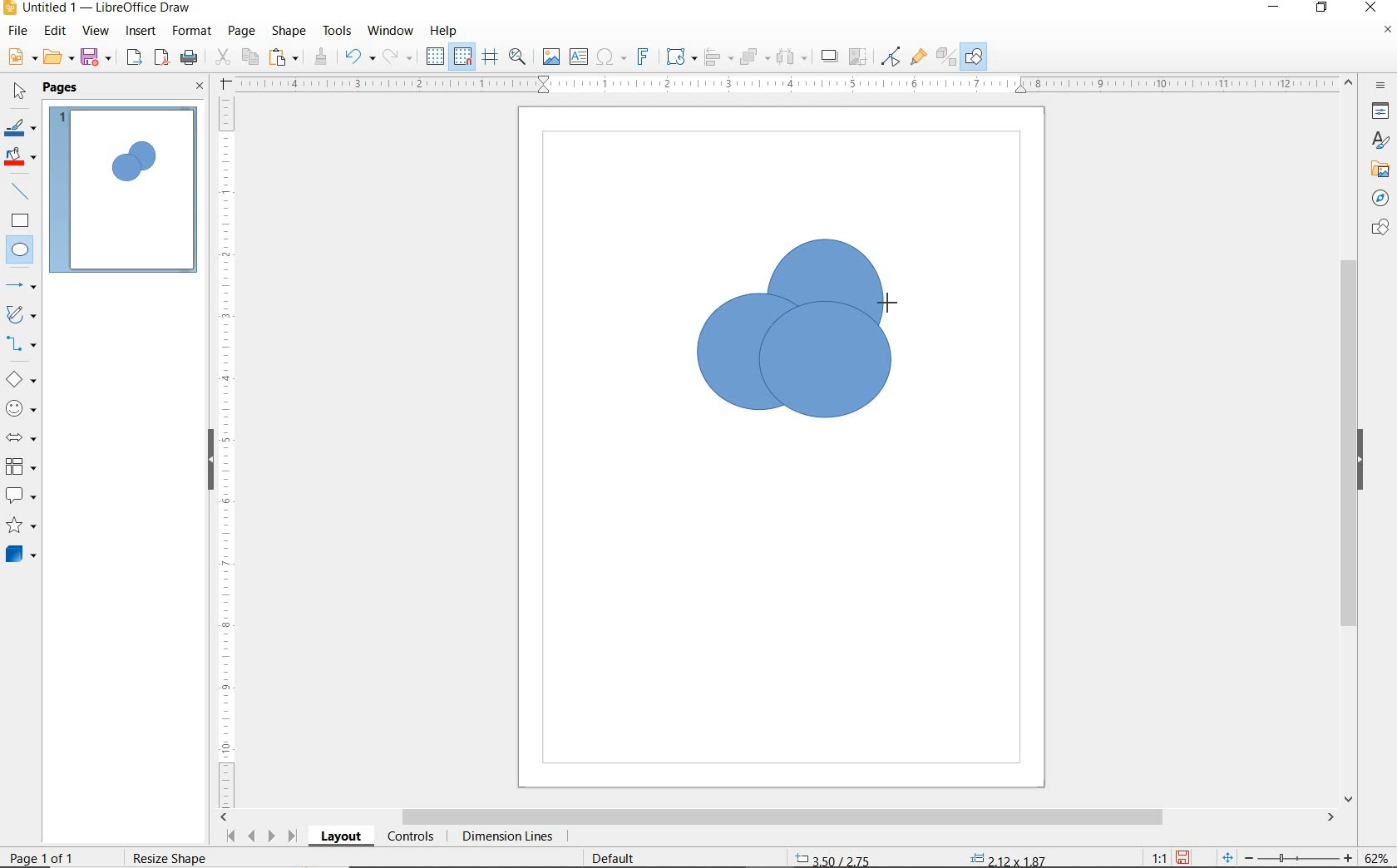 The image size is (1397, 868). Describe the element at coordinates (19, 556) in the screenshot. I see `3D OBJECTS` at that location.